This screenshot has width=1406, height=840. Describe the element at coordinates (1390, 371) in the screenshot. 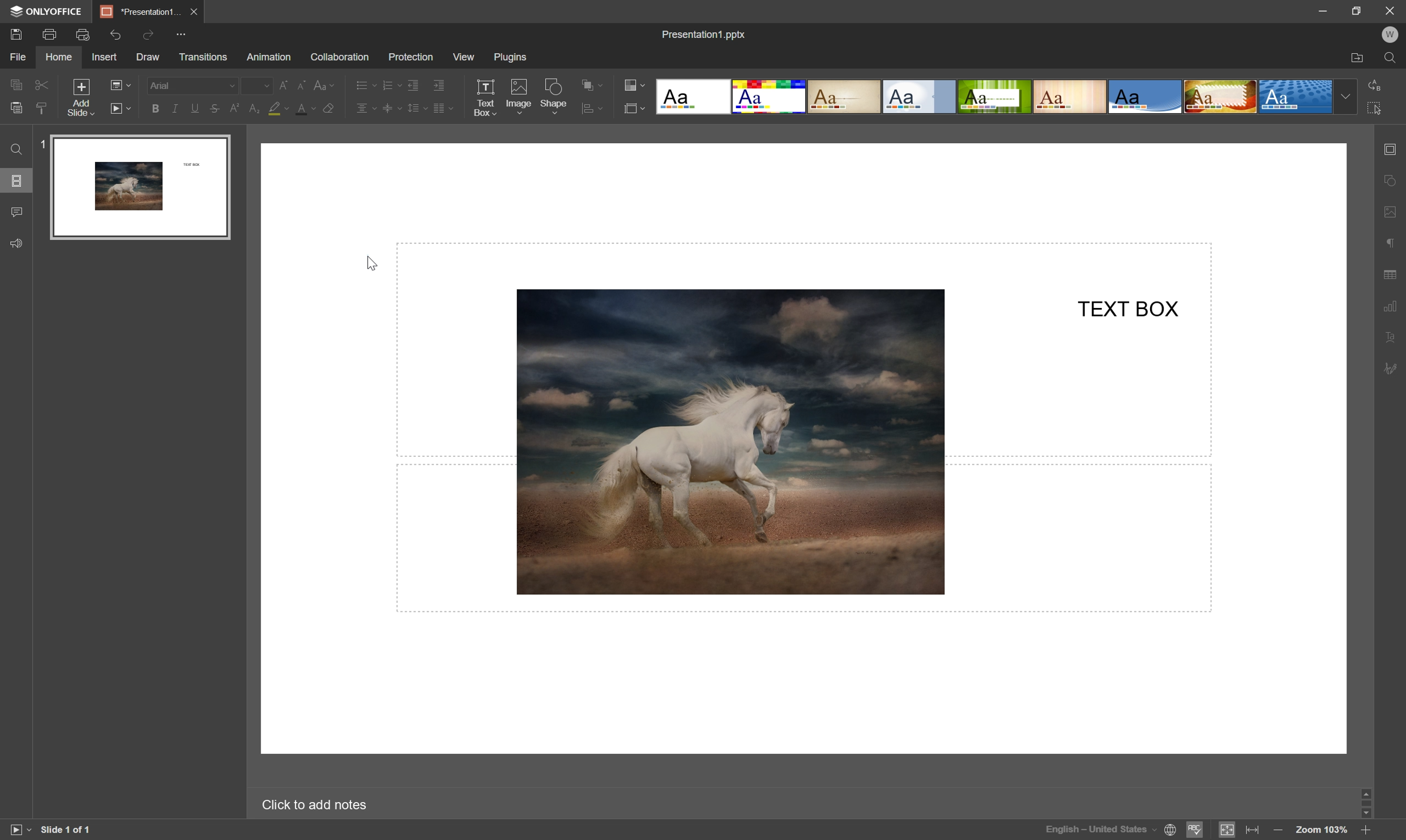

I see `signature settings` at that location.